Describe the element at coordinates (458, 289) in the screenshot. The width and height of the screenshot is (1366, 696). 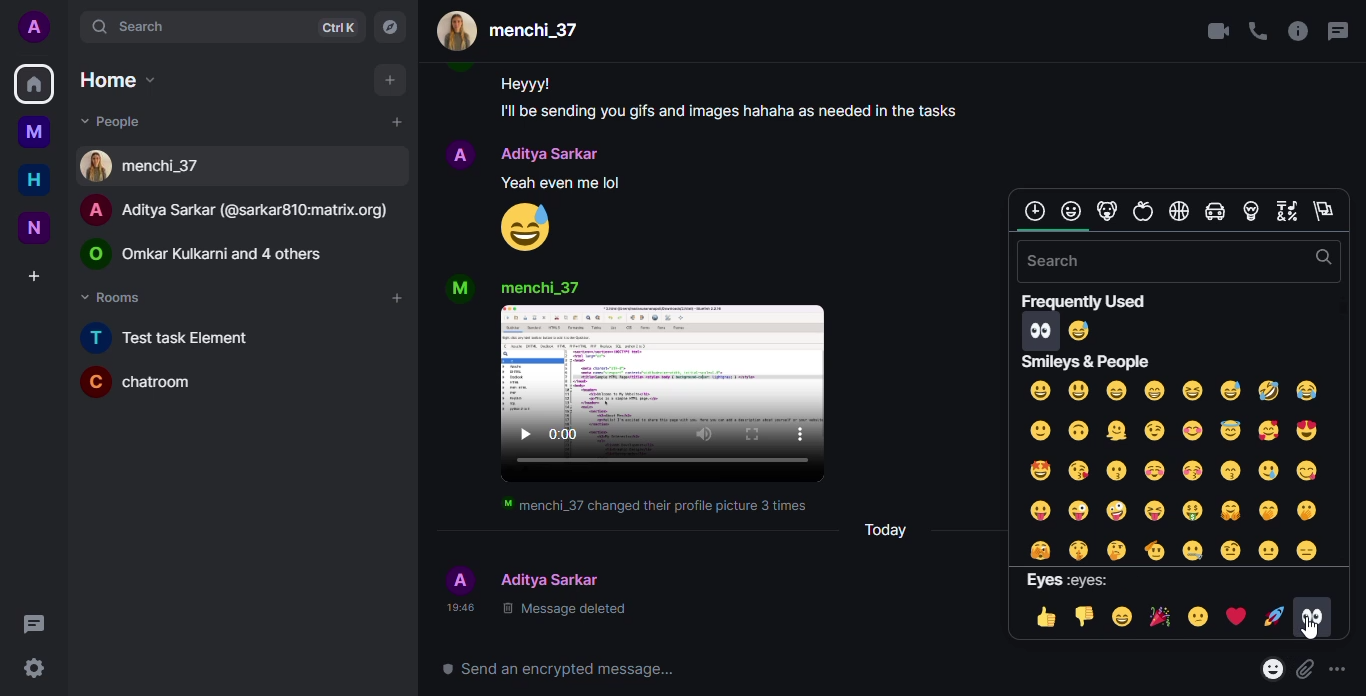
I see `profile` at that location.